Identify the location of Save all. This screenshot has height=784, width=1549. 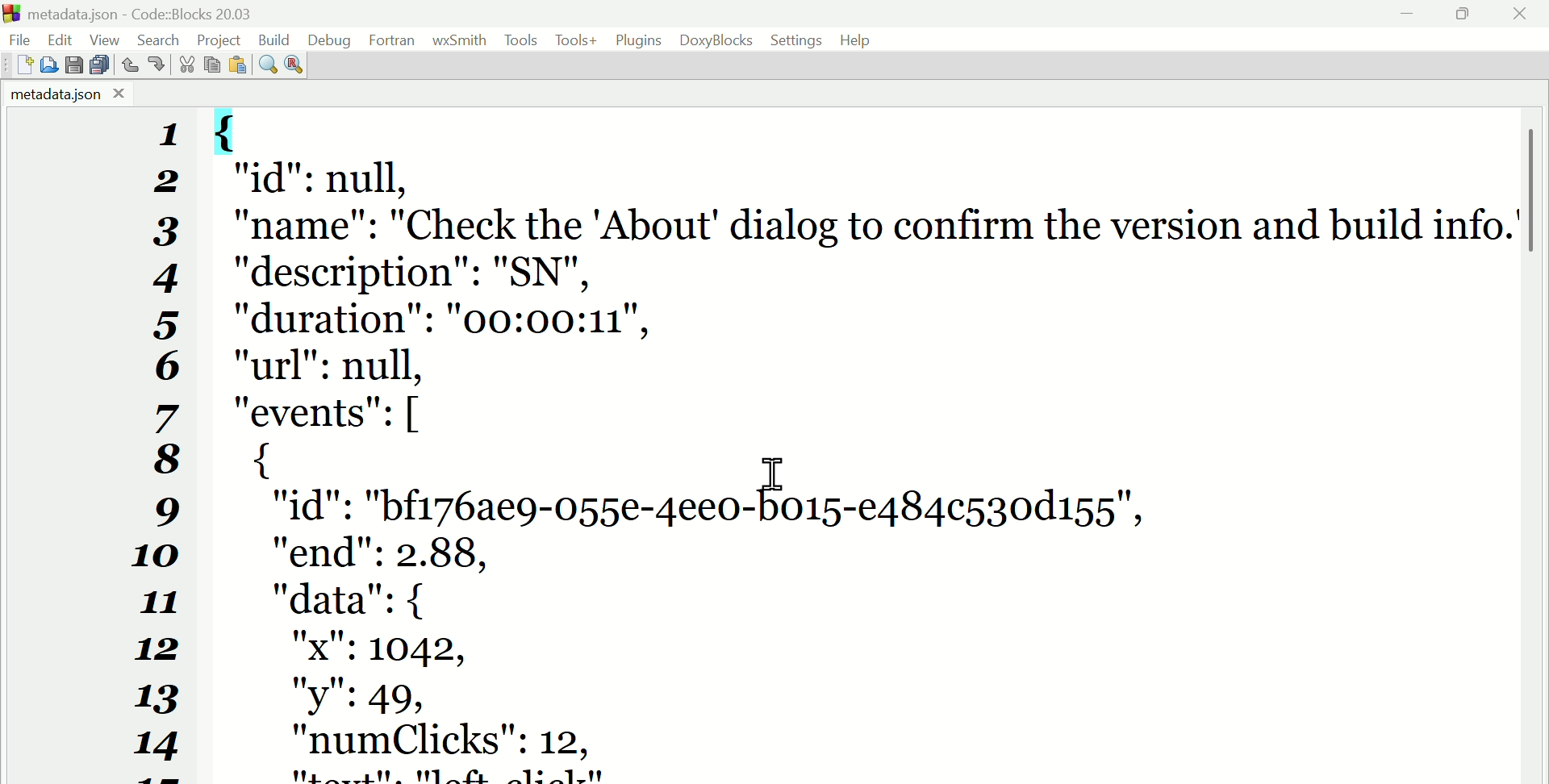
(101, 65).